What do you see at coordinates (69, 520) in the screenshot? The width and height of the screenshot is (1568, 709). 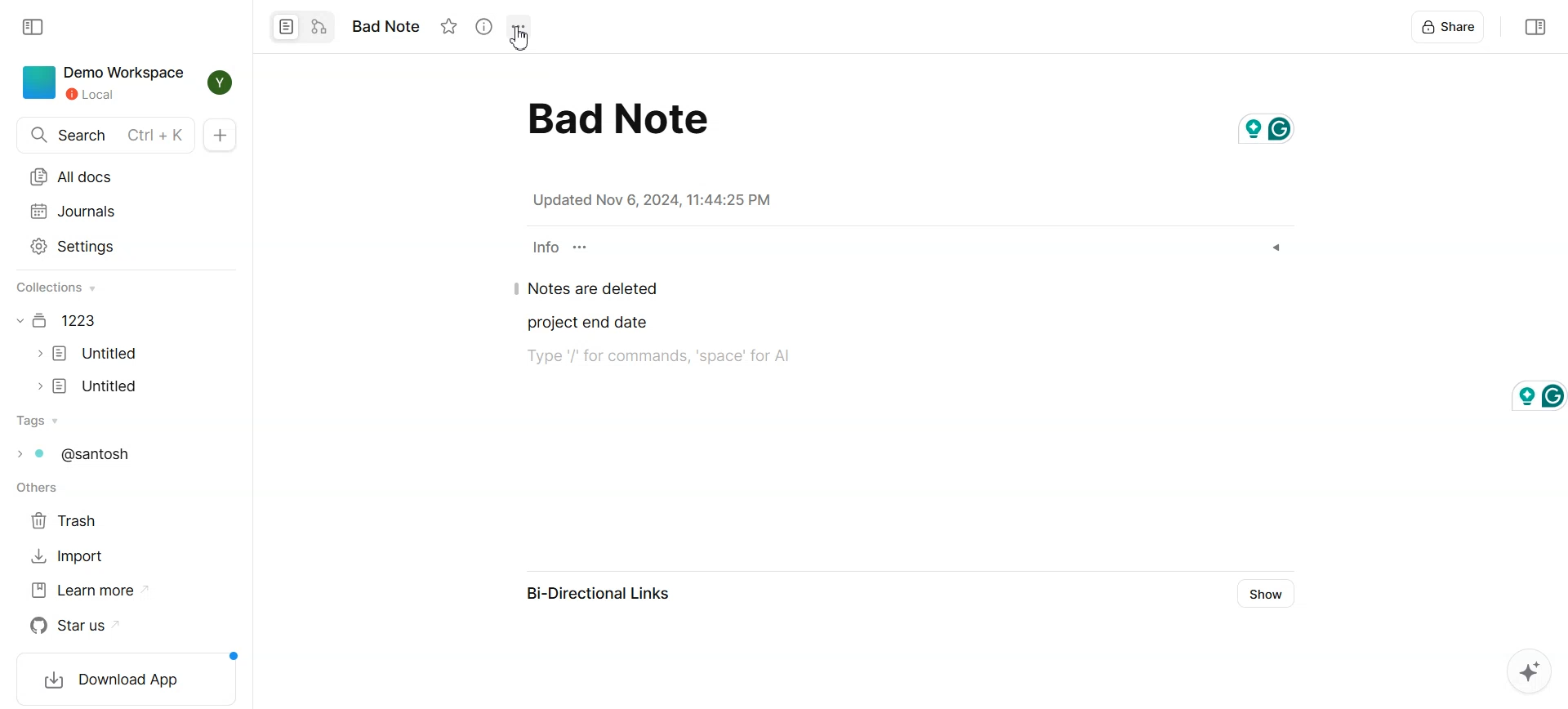 I see `Trash` at bounding box center [69, 520].